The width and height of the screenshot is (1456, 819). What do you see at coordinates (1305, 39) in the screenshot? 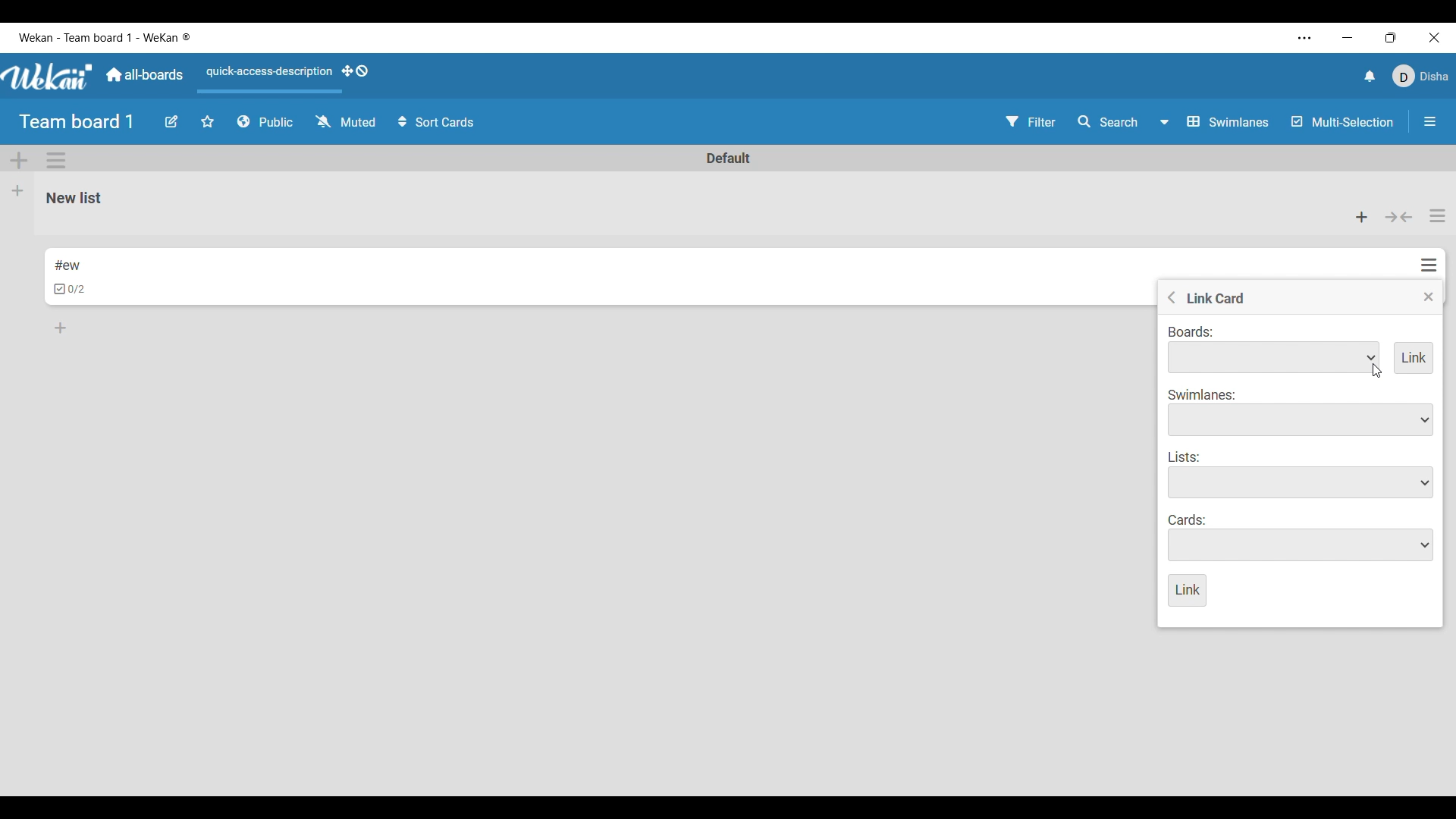
I see `More settings` at bounding box center [1305, 39].